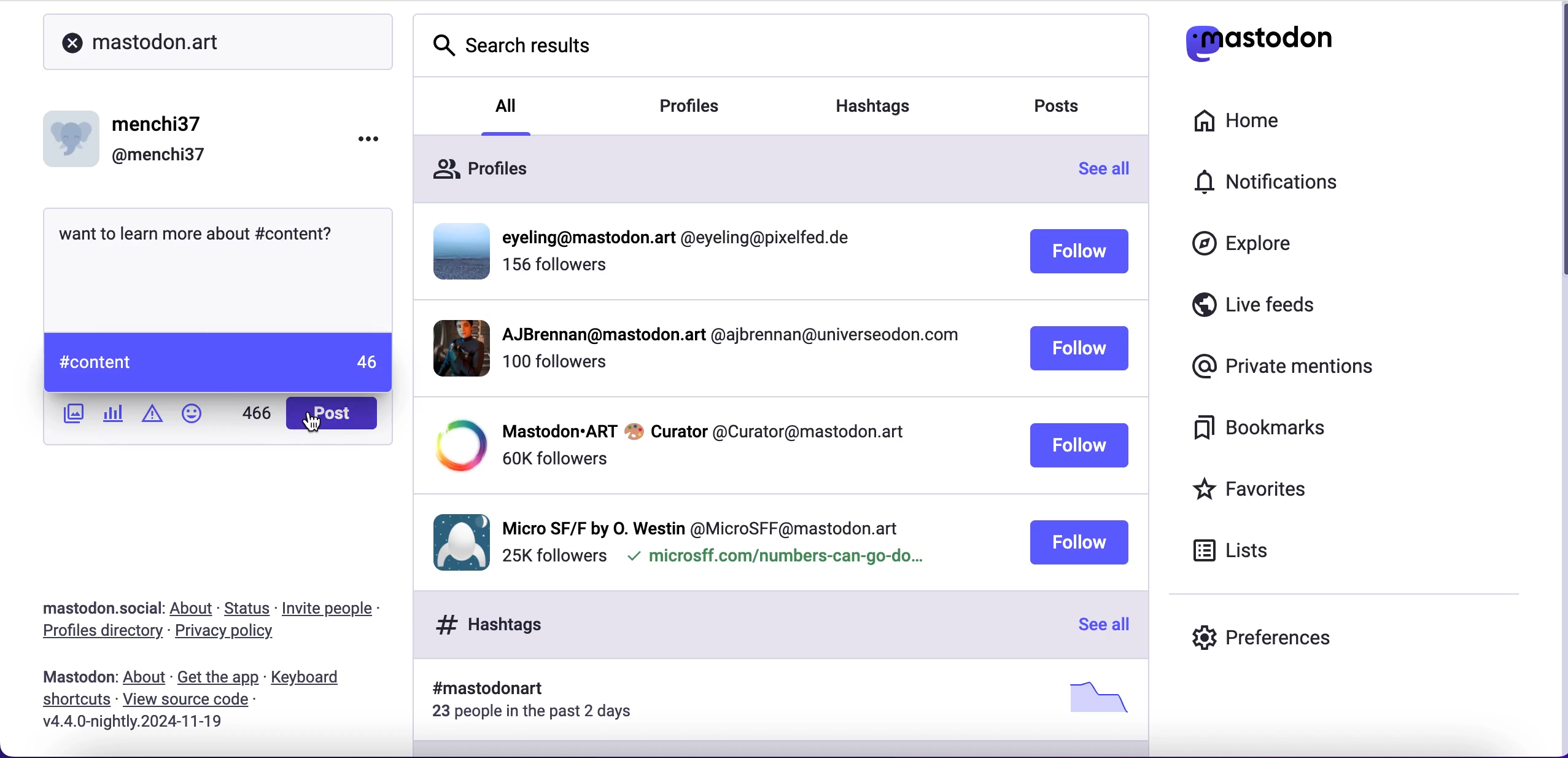 This screenshot has width=1568, height=758. I want to click on @menchi37, so click(159, 156).